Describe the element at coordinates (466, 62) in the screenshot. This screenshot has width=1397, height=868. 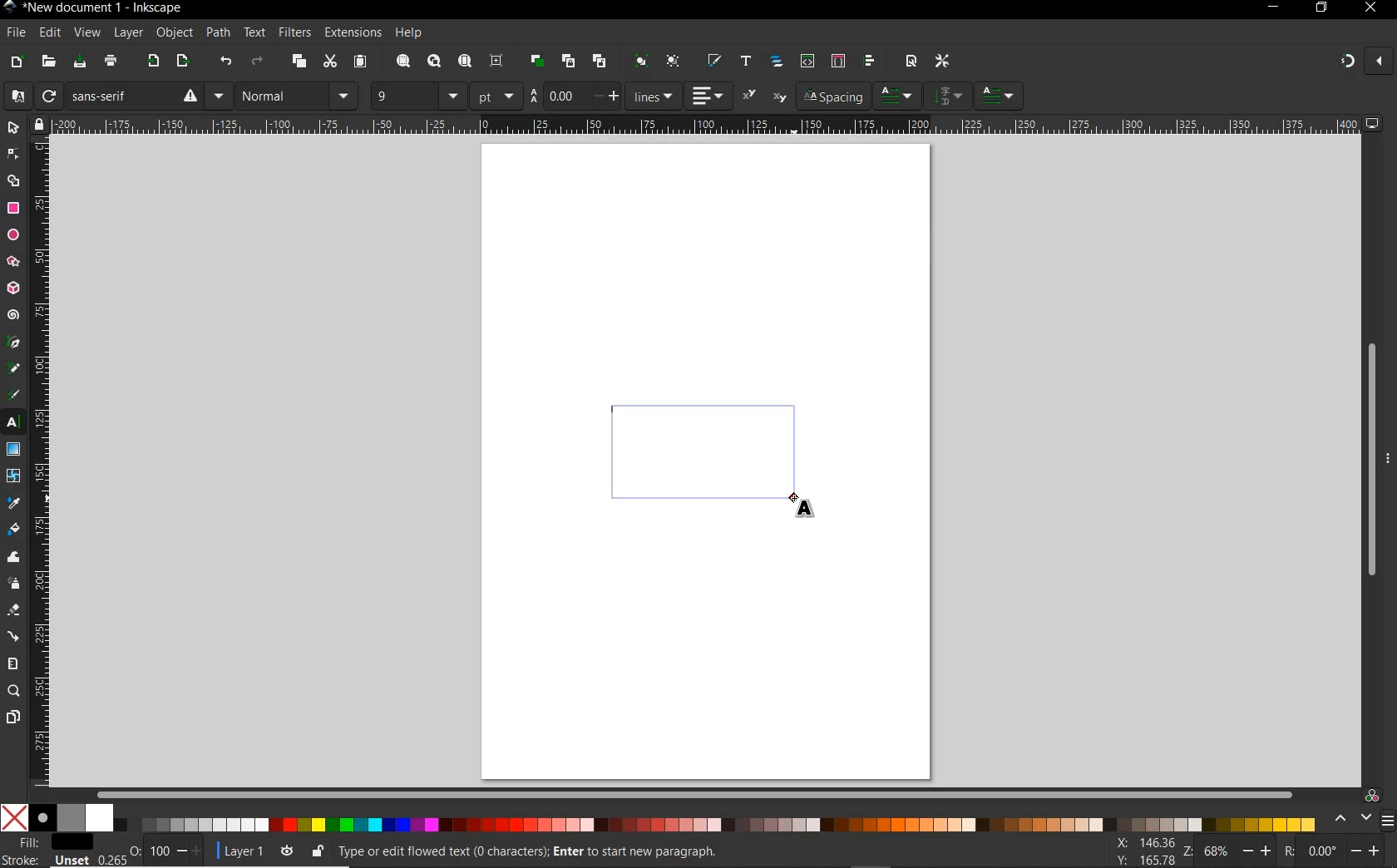
I see `zoom page` at that location.